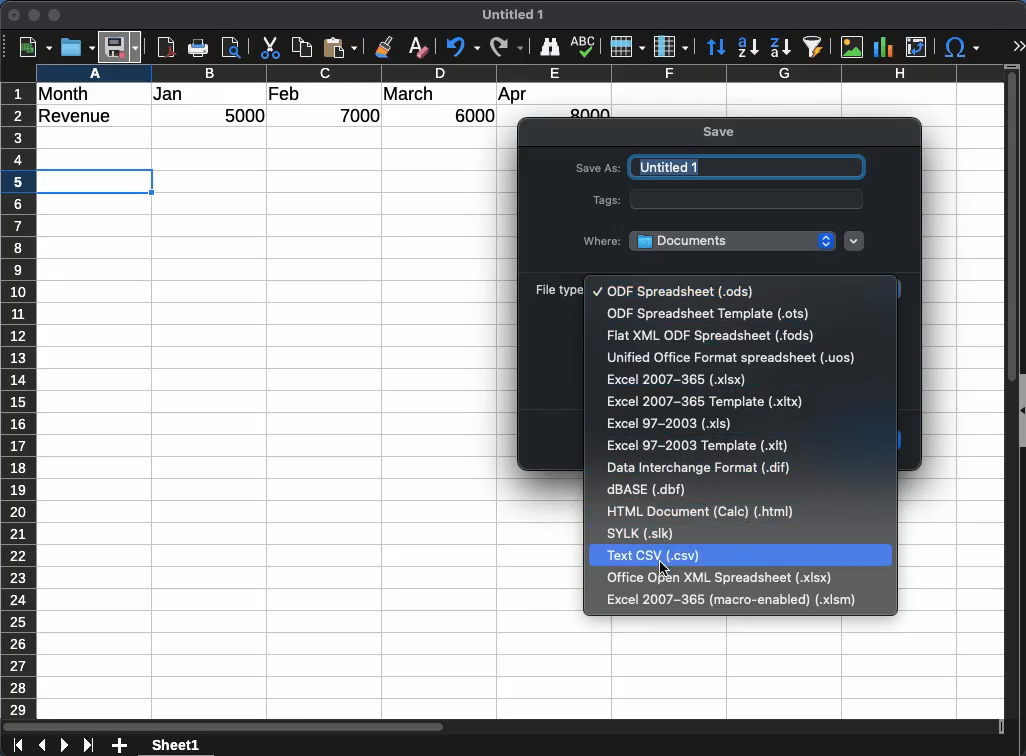 This screenshot has width=1026, height=756. What do you see at coordinates (517, 15) in the screenshot?
I see `Untitled 1` at bounding box center [517, 15].